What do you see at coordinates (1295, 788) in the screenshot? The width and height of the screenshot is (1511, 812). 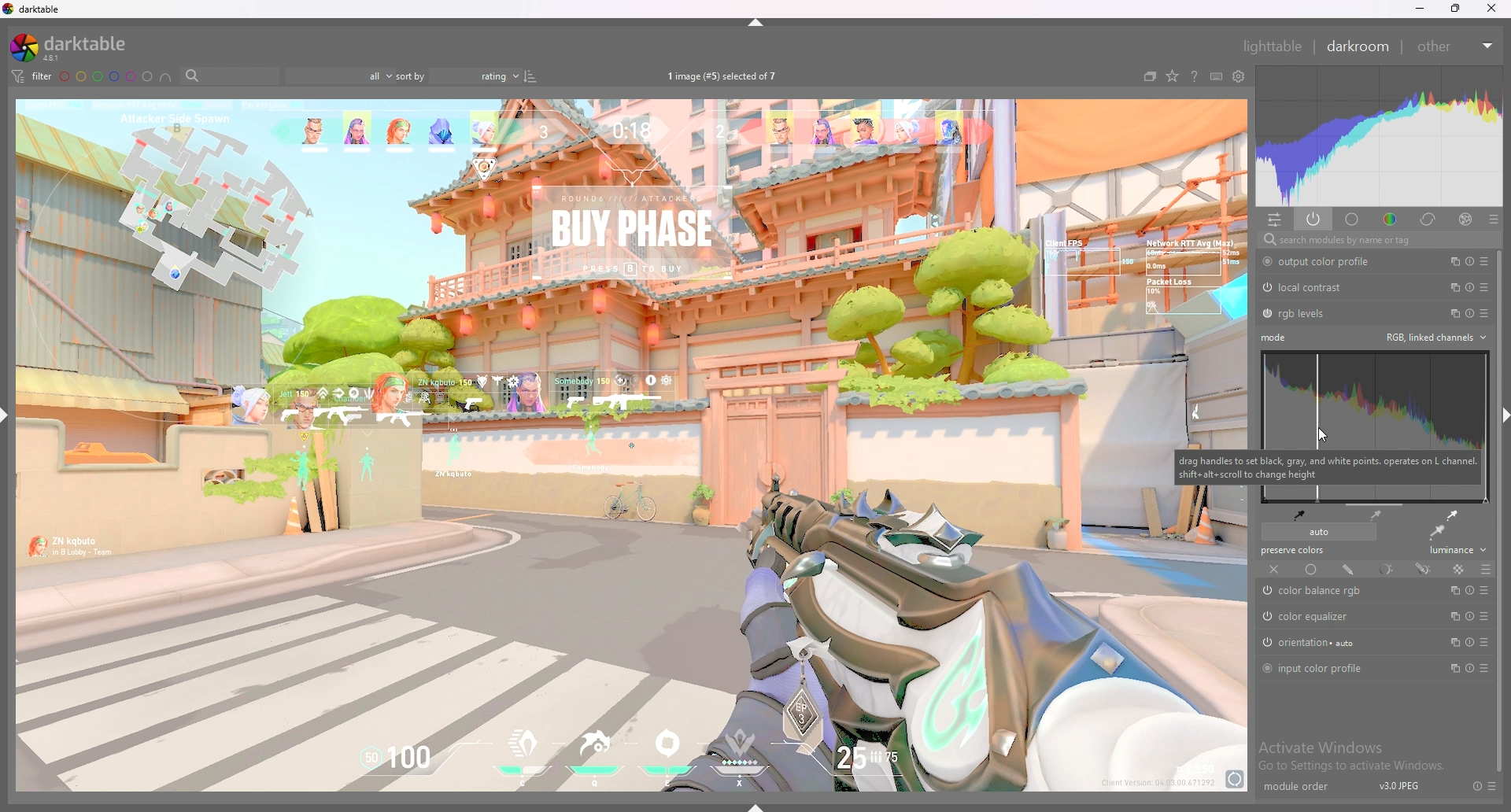 I see `module order` at bounding box center [1295, 788].